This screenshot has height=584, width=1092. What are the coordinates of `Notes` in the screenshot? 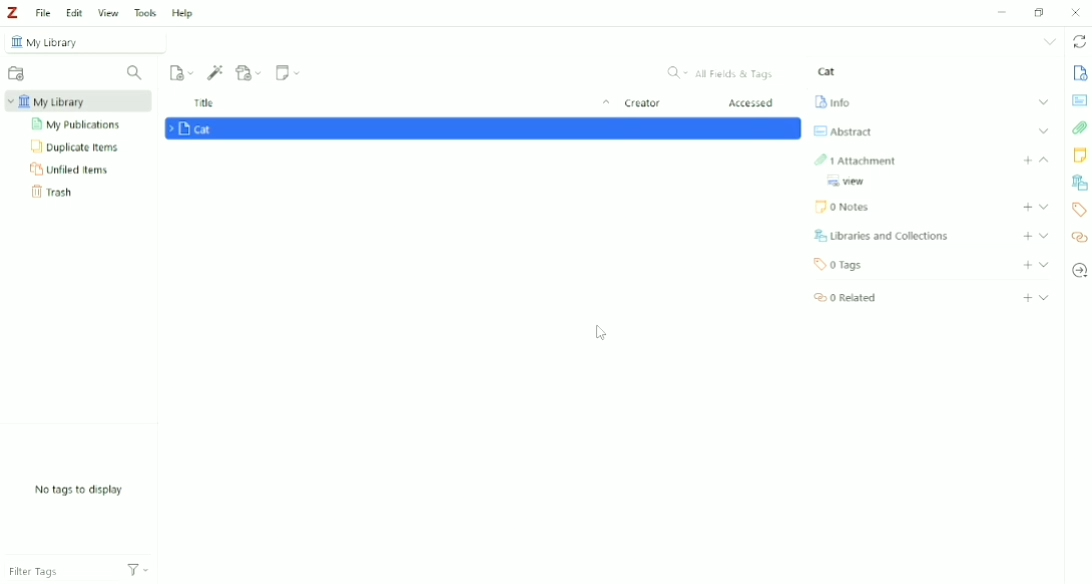 It's located at (845, 207).